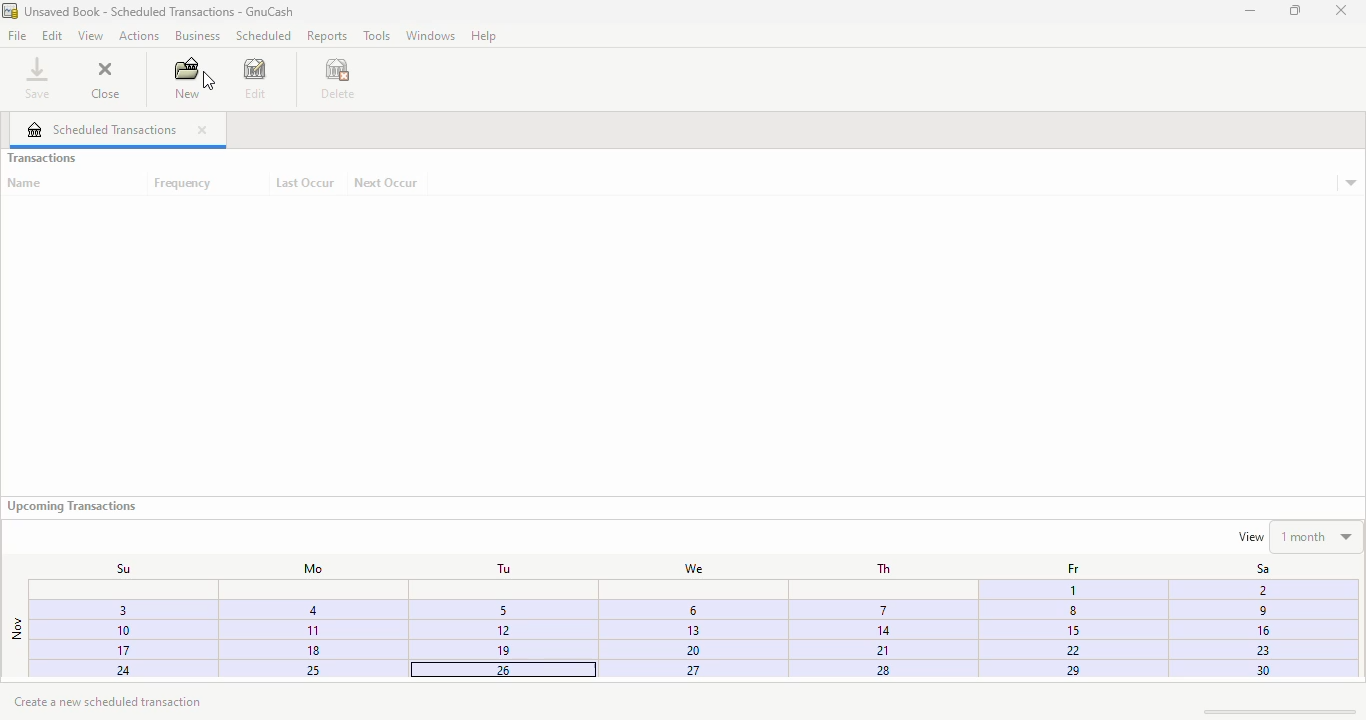  Describe the element at coordinates (25, 183) in the screenshot. I see `name` at that location.